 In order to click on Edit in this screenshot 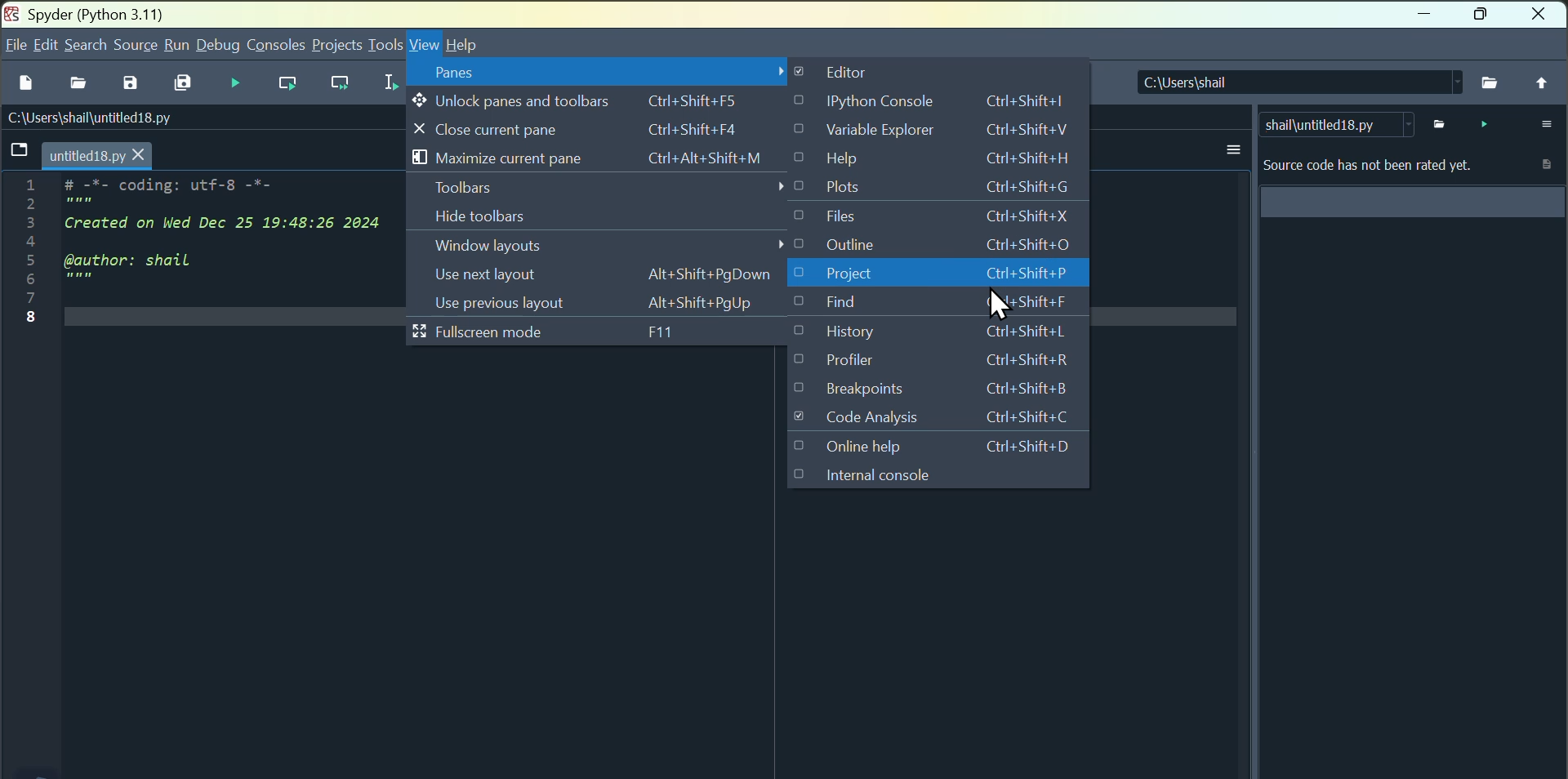, I will do `click(47, 47)`.